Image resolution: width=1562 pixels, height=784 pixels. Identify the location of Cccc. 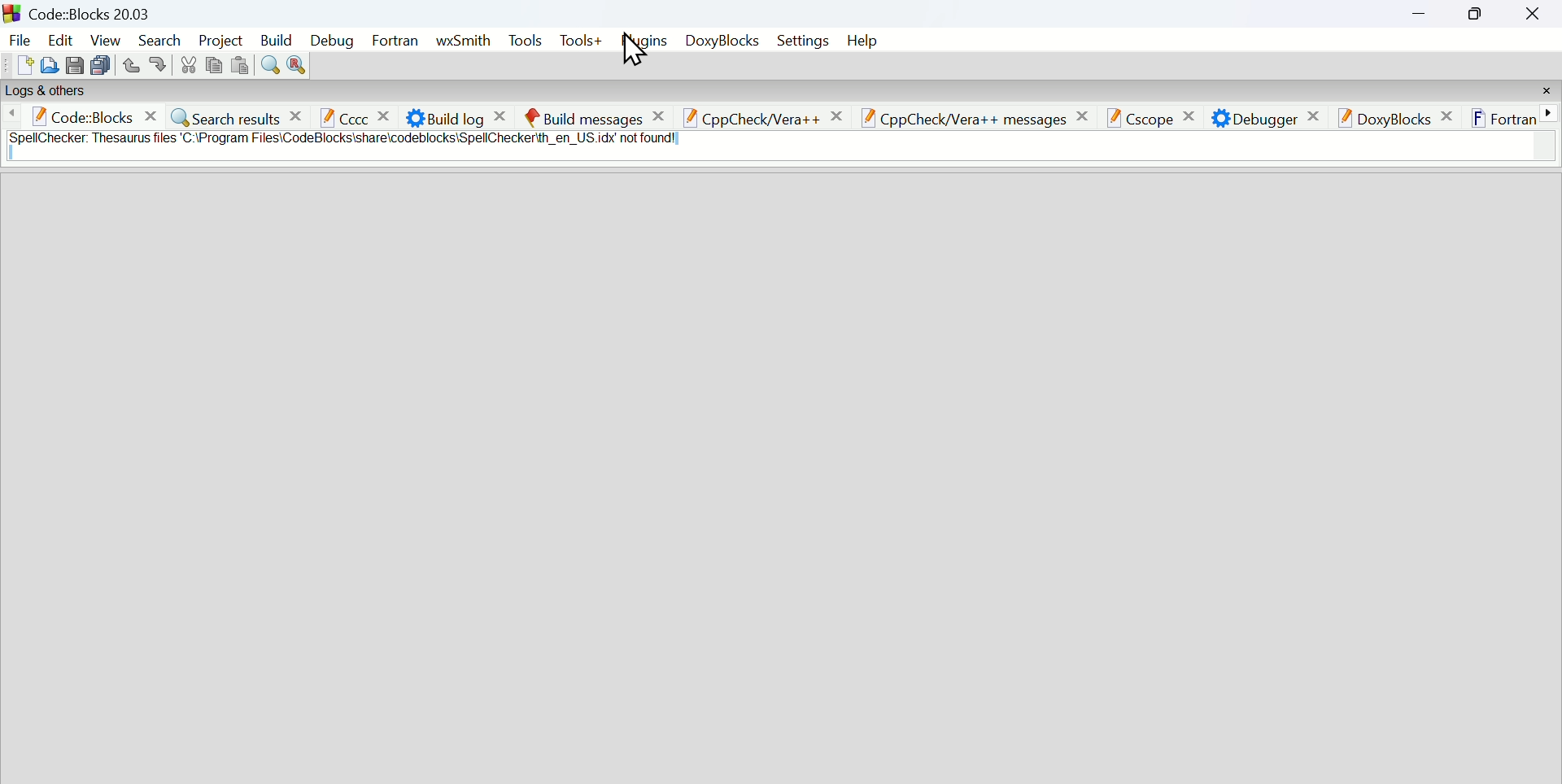
(357, 115).